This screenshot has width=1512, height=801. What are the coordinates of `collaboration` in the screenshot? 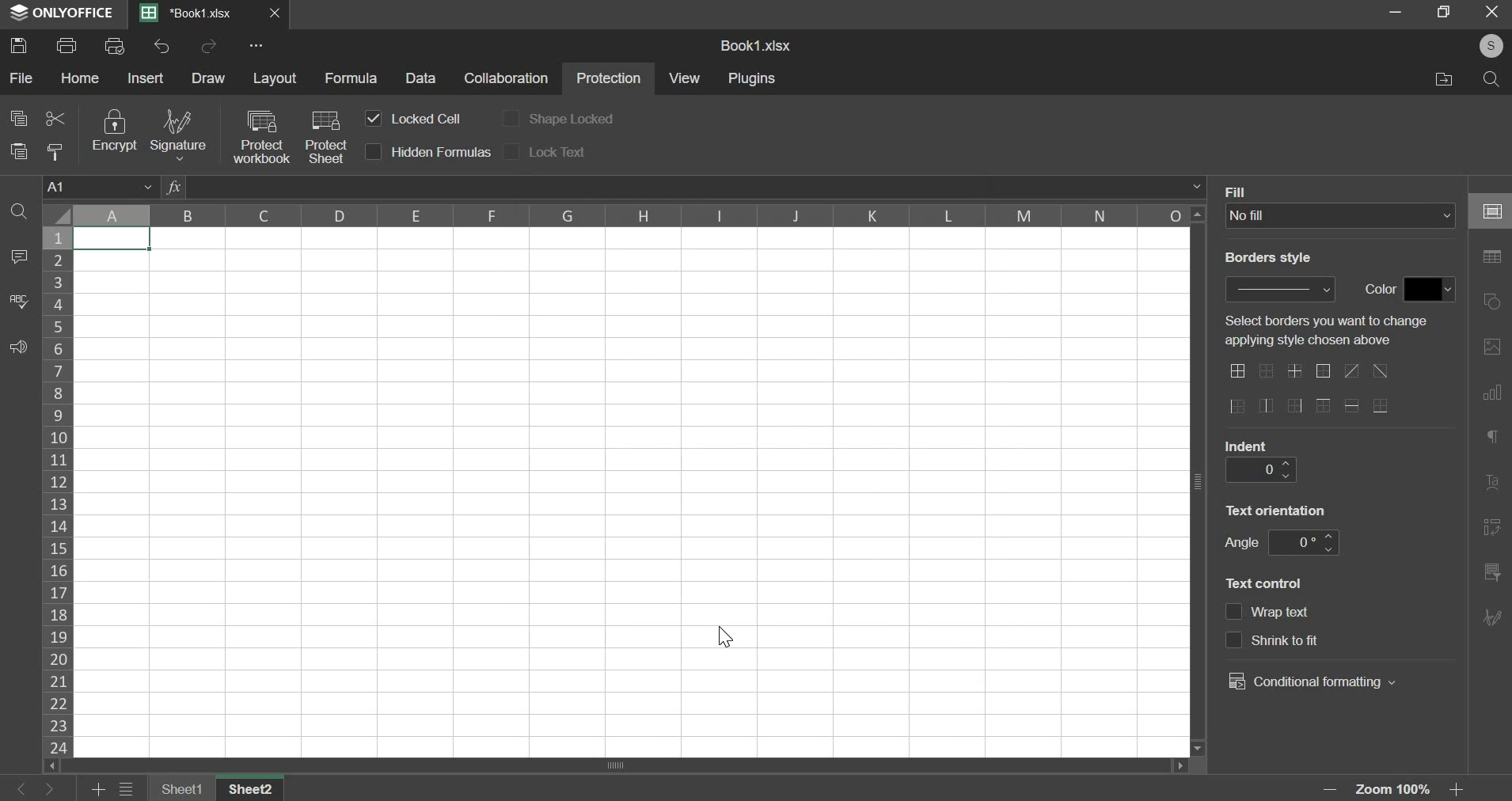 It's located at (507, 79).